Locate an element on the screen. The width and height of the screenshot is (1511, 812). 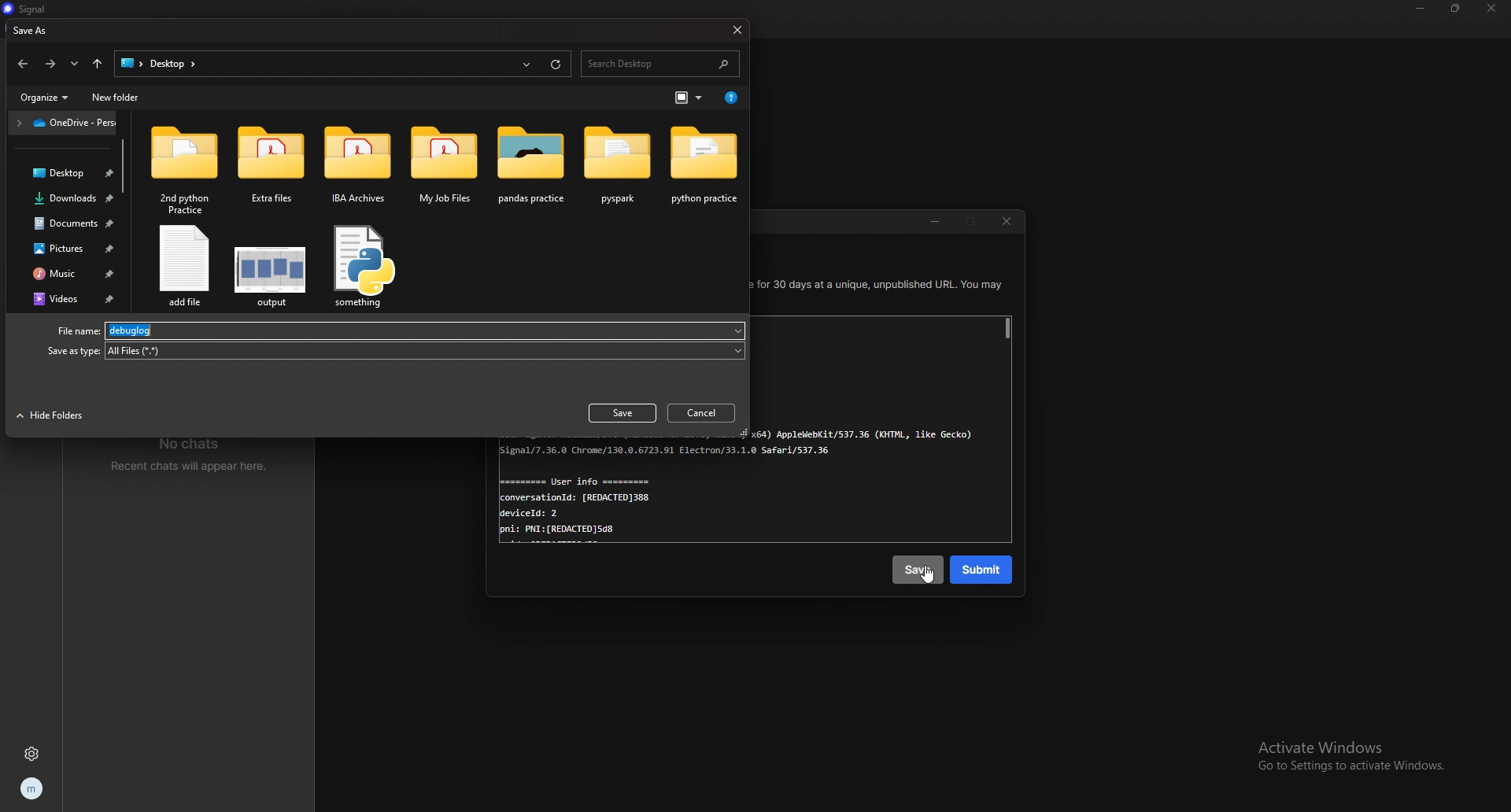
close is located at coordinates (1493, 8).